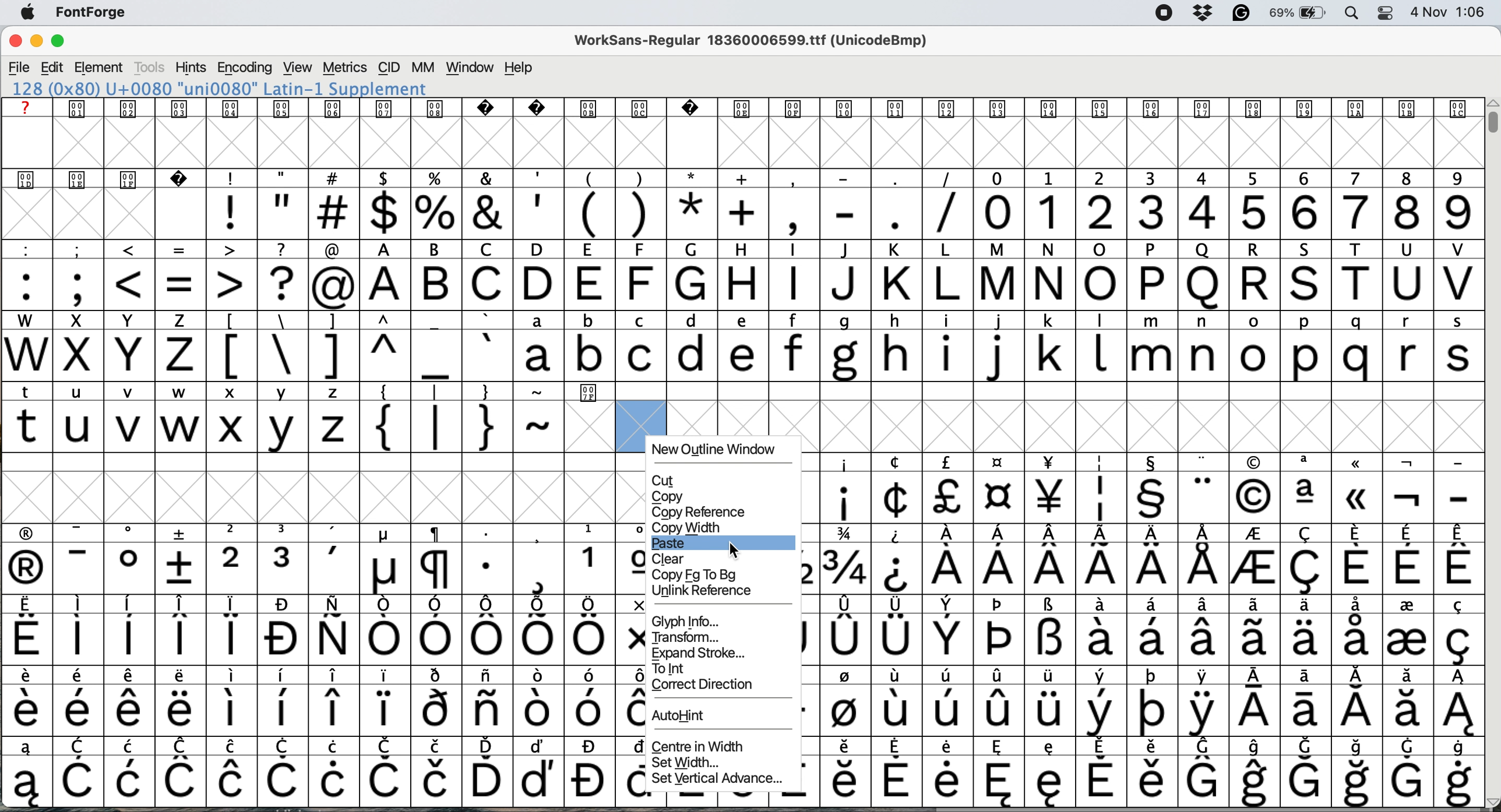 The image size is (1501, 812). Describe the element at coordinates (697, 747) in the screenshot. I see `centre in width` at that location.